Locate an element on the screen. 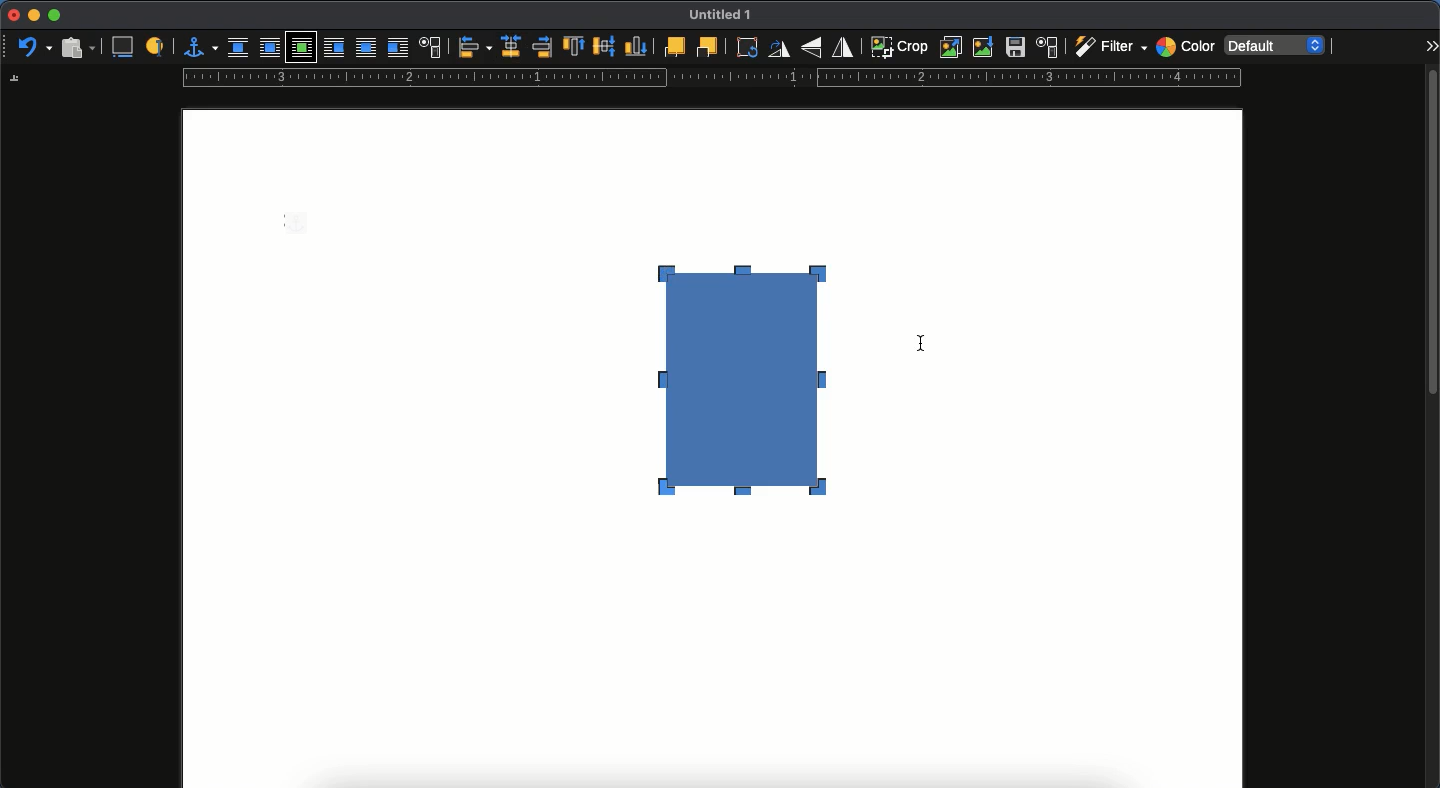 Image resolution: width=1440 pixels, height=788 pixels. paste is located at coordinates (77, 46).